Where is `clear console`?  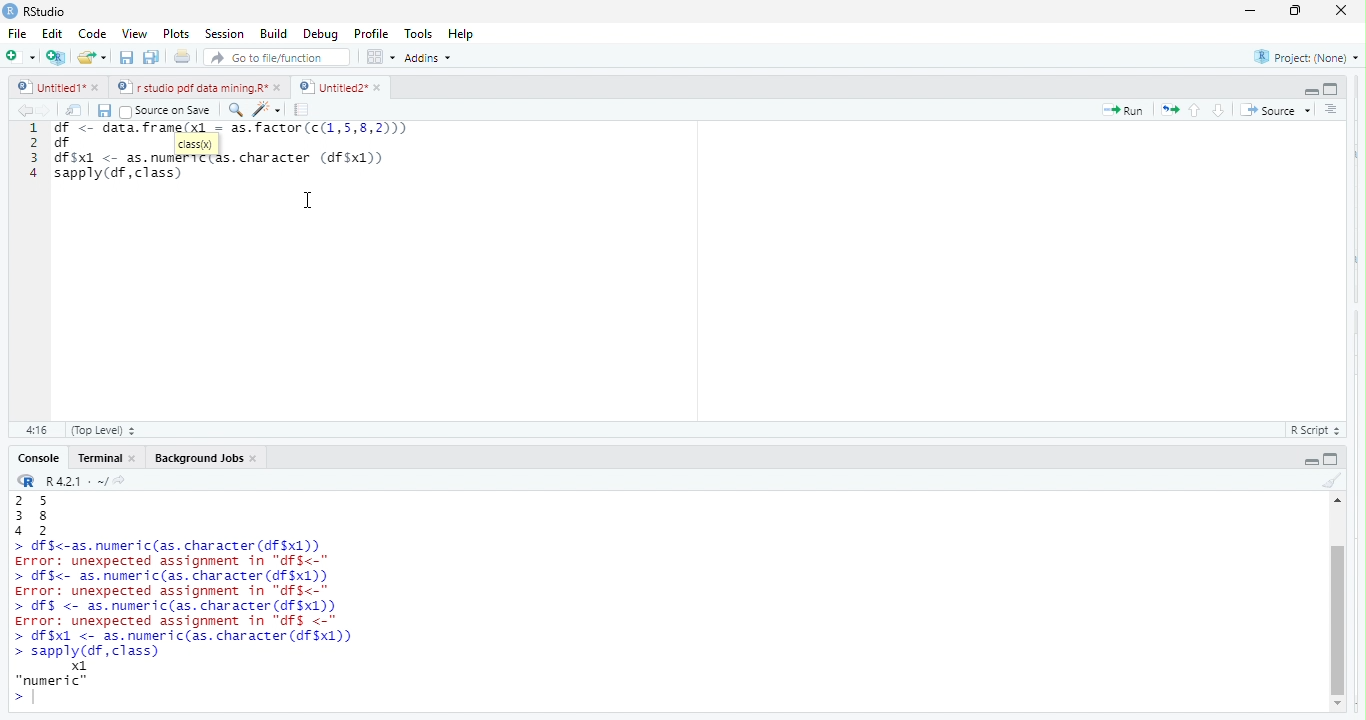
clear console is located at coordinates (1330, 482).